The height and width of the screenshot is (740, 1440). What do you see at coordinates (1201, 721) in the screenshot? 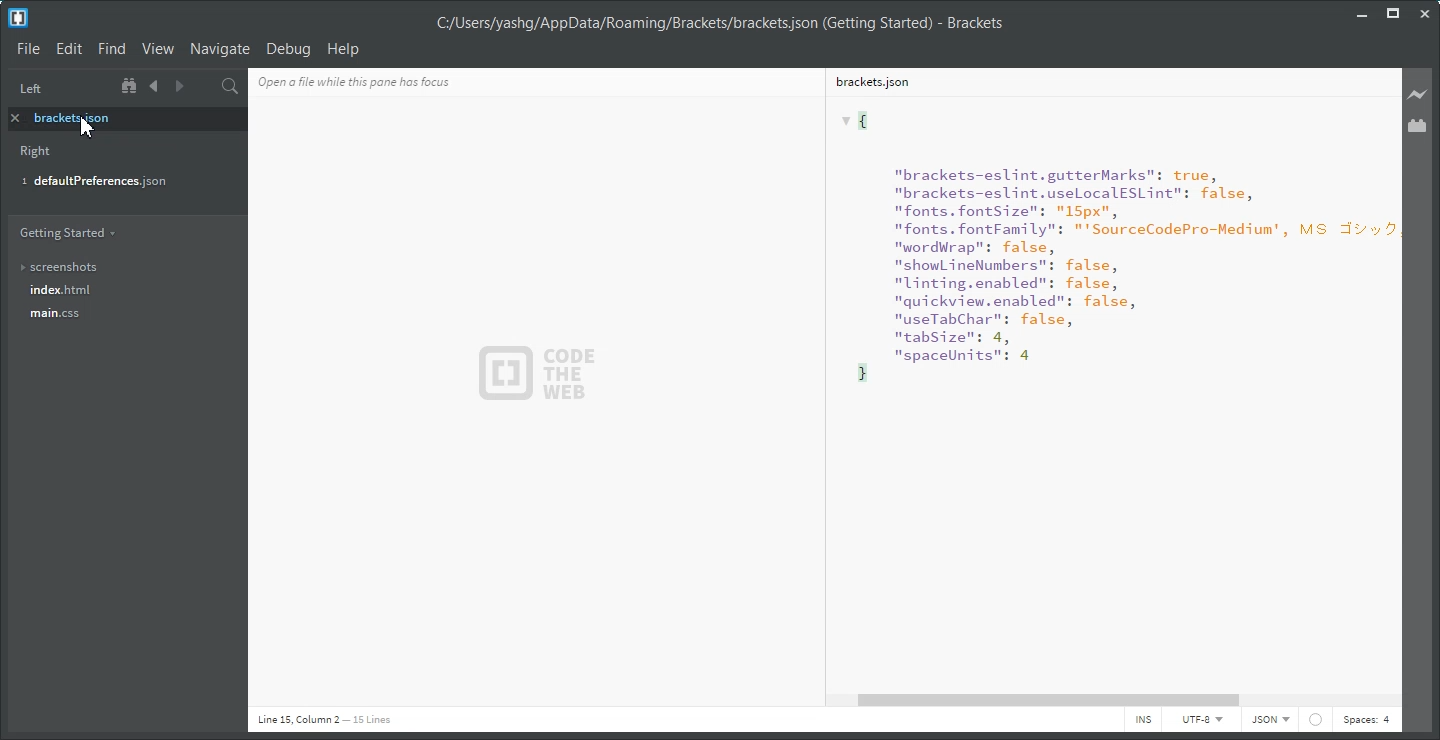
I see `UTF-8` at bounding box center [1201, 721].